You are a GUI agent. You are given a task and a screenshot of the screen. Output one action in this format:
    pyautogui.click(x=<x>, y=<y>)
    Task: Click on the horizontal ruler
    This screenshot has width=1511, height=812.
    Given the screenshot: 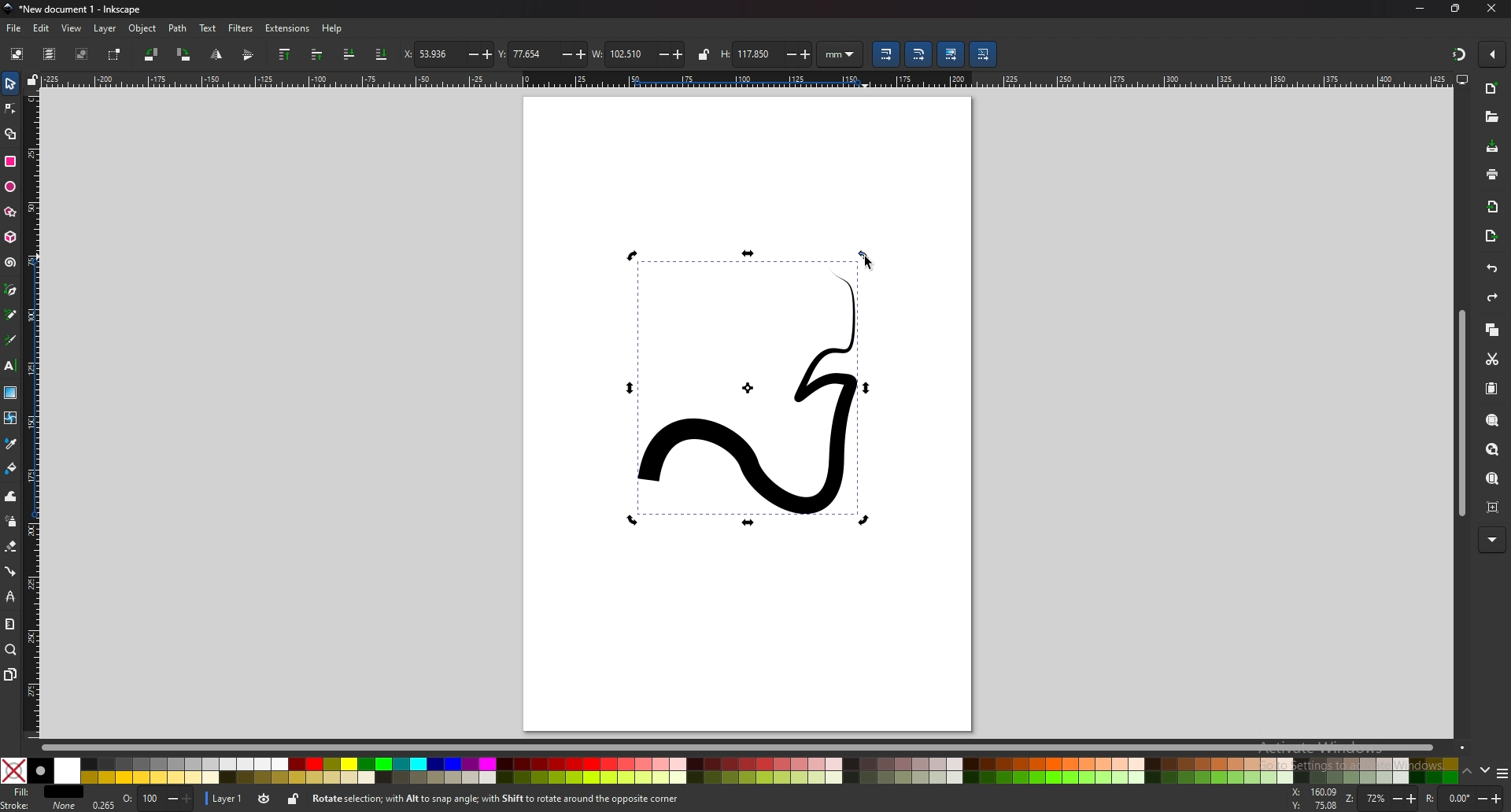 What is the action you would take?
    pyautogui.click(x=749, y=79)
    